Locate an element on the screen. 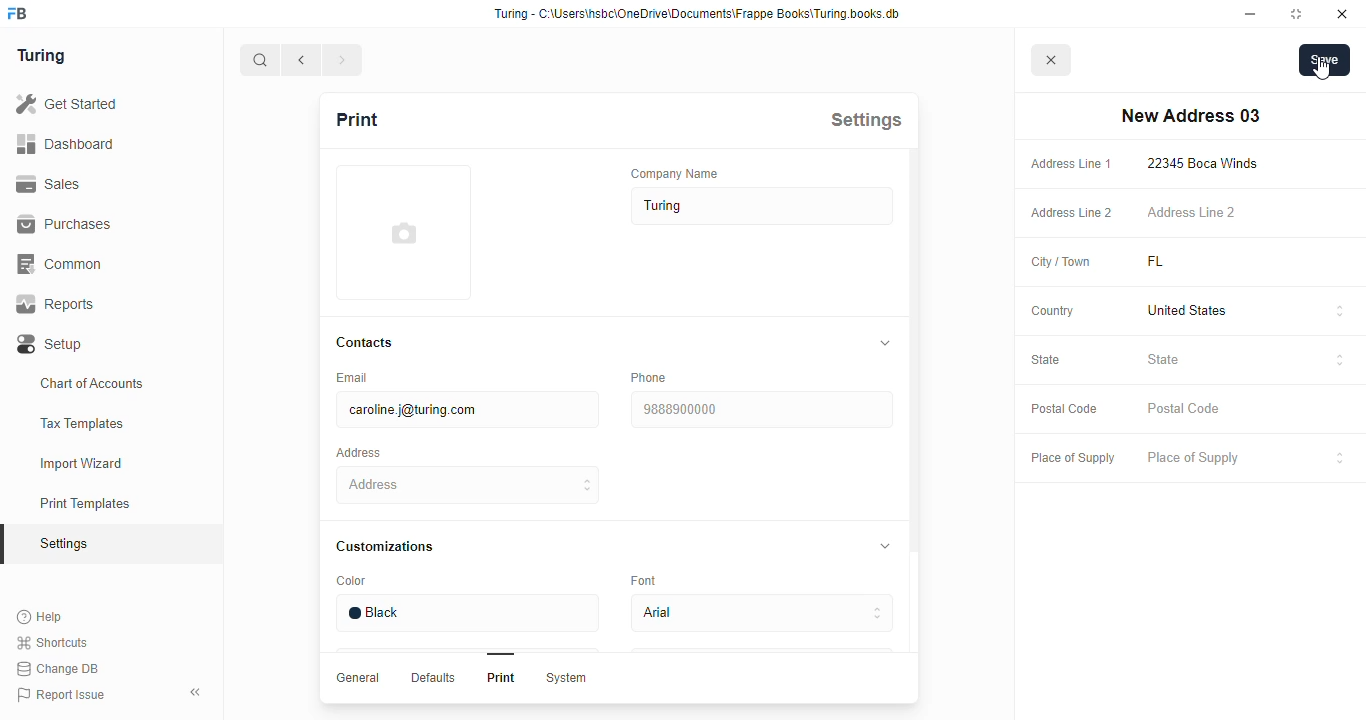 This screenshot has width=1366, height=720. dashboard is located at coordinates (65, 143).